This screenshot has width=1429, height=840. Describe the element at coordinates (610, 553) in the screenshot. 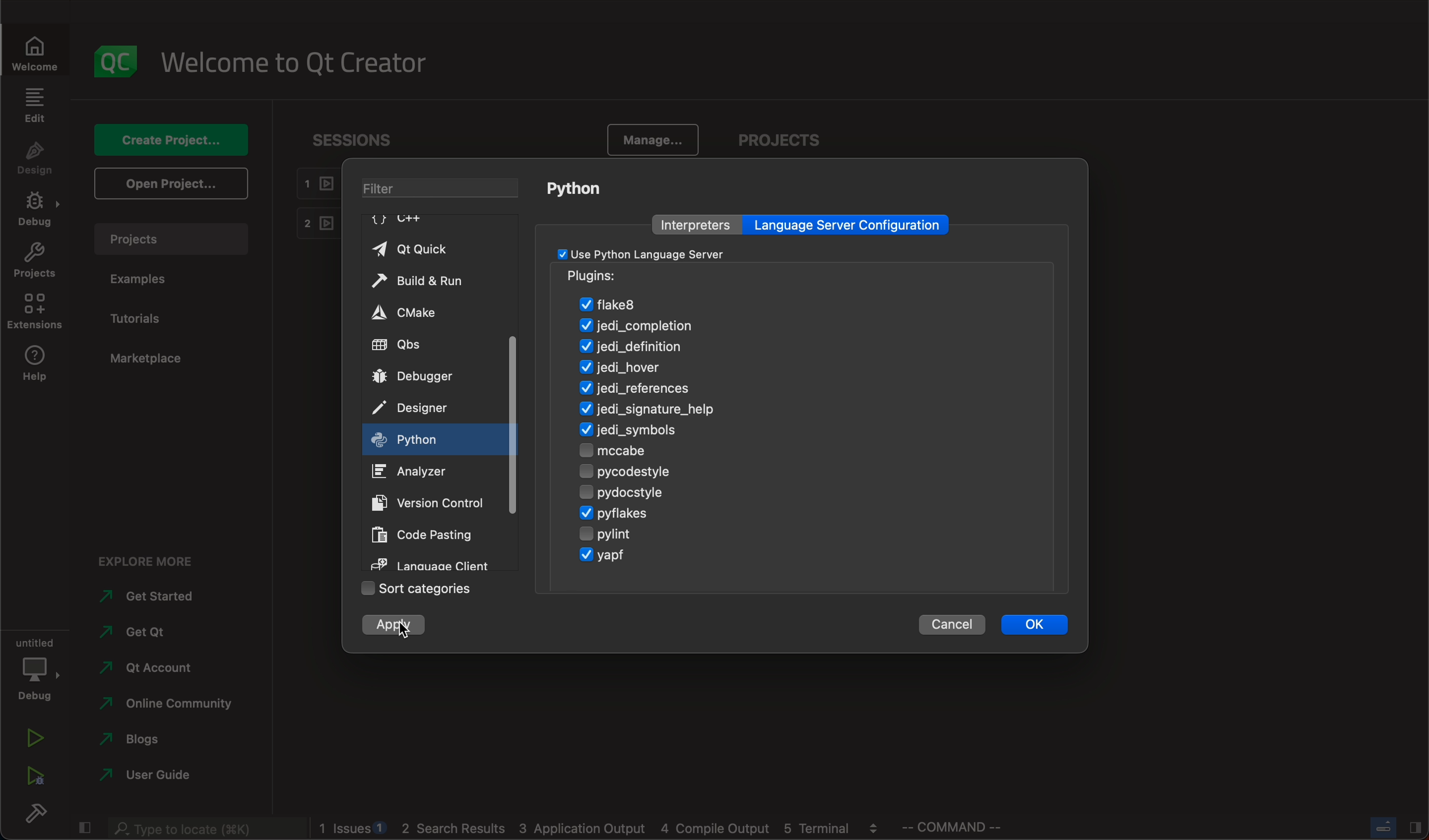

I see `yagp` at that location.